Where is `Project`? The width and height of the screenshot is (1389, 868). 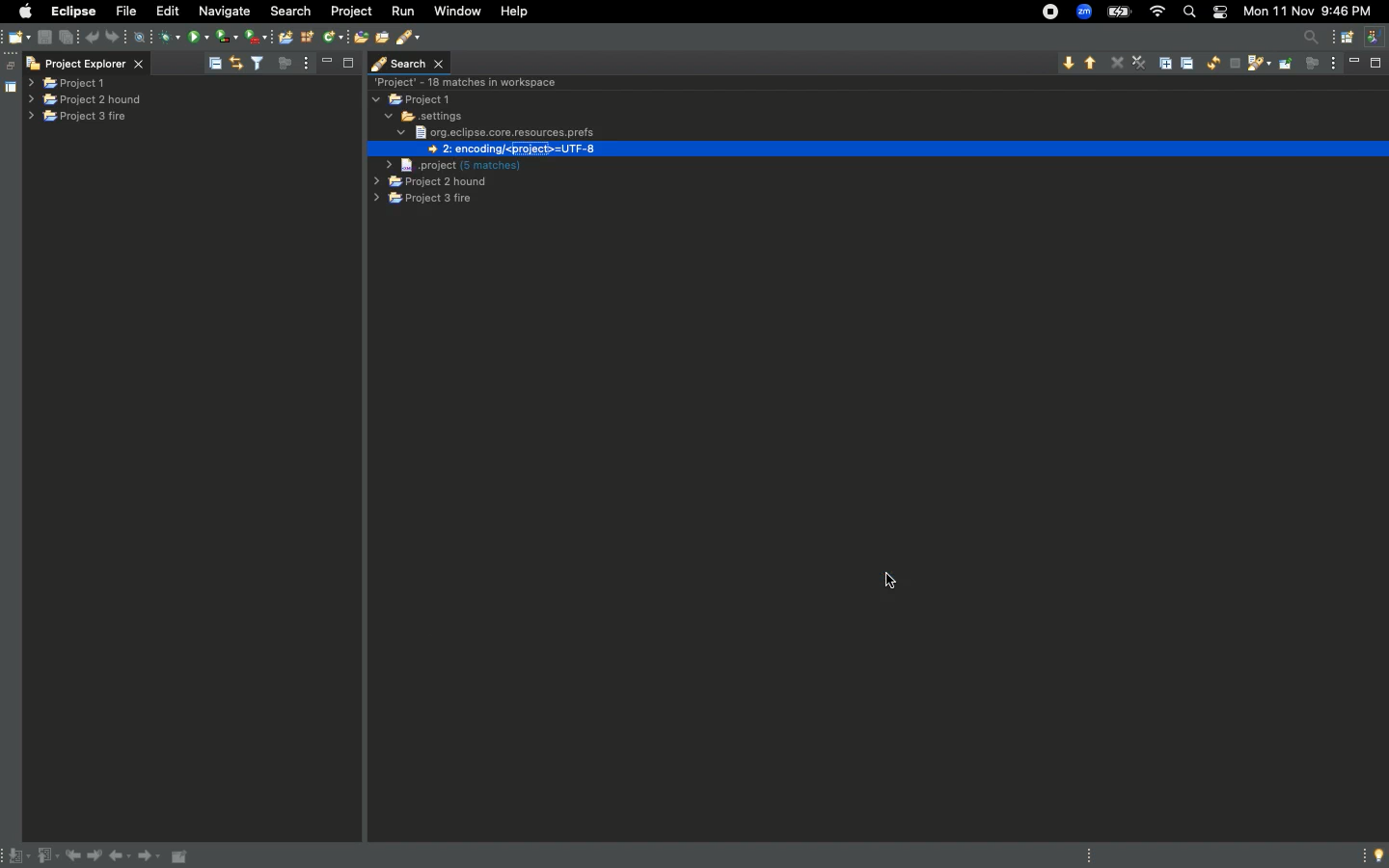 Project is located at coordinates (355, 12).